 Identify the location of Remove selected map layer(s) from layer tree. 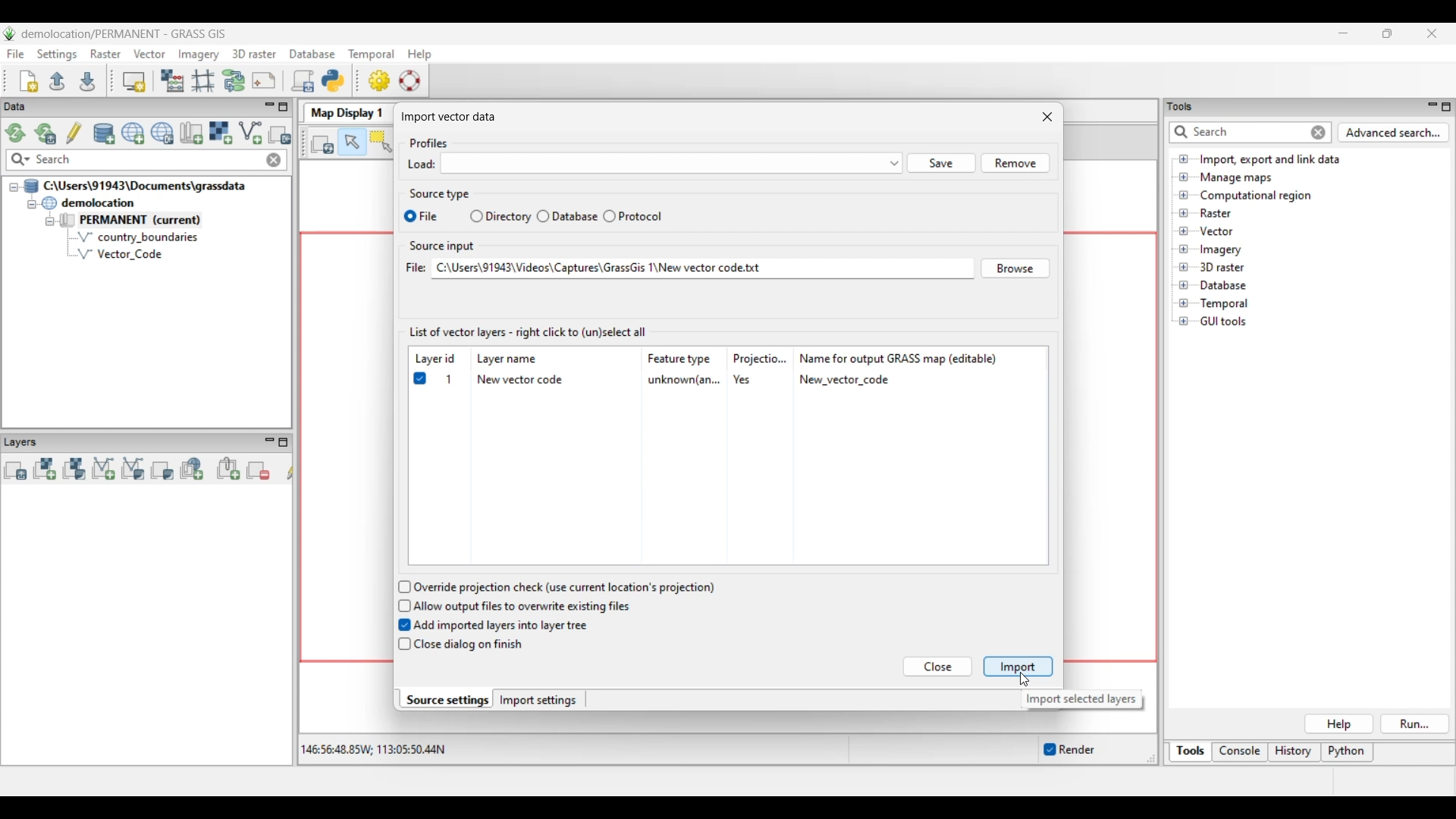
(259, 469).